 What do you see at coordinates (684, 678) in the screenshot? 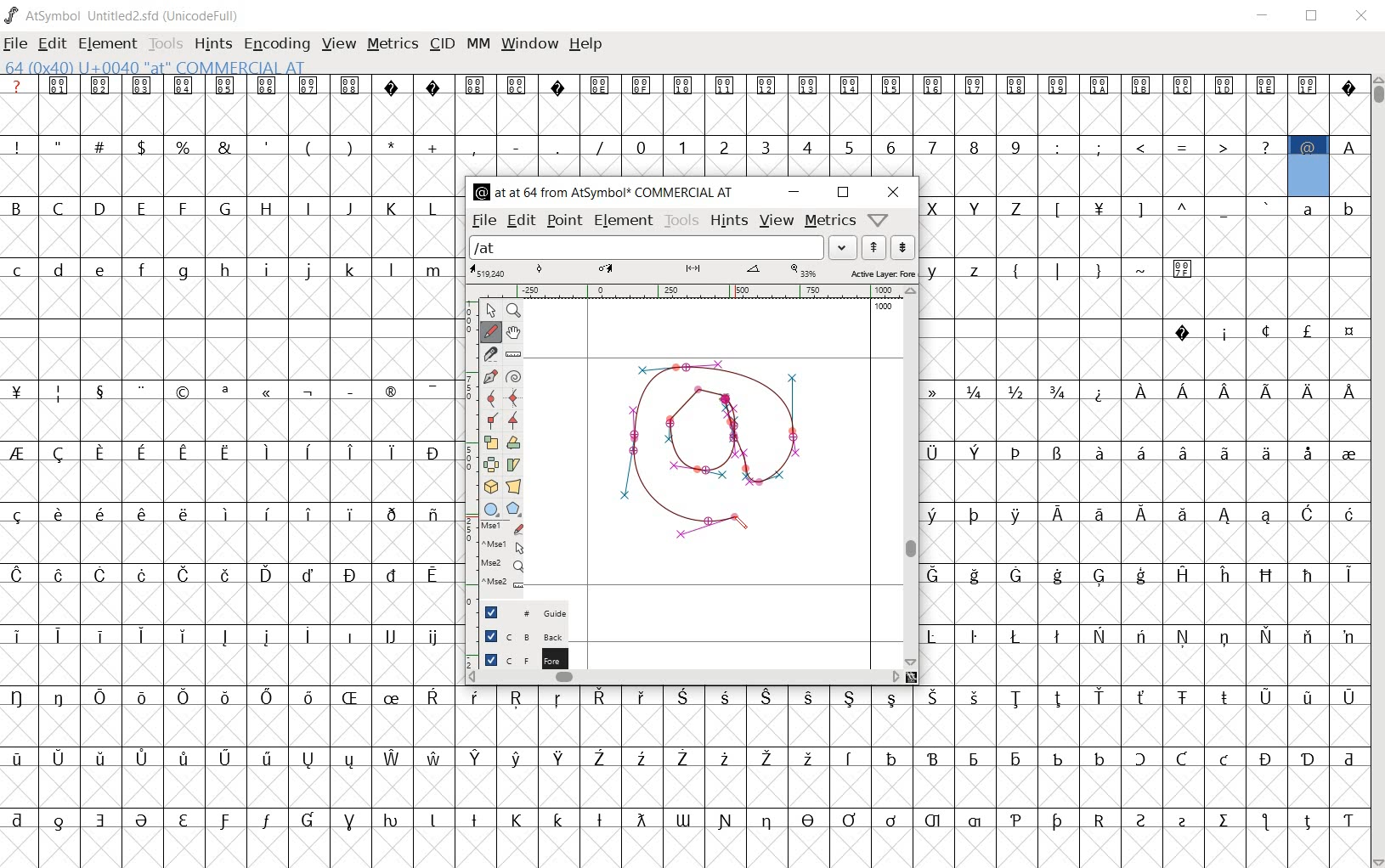
I see `scrollbar` at bounding box center [684, 678].